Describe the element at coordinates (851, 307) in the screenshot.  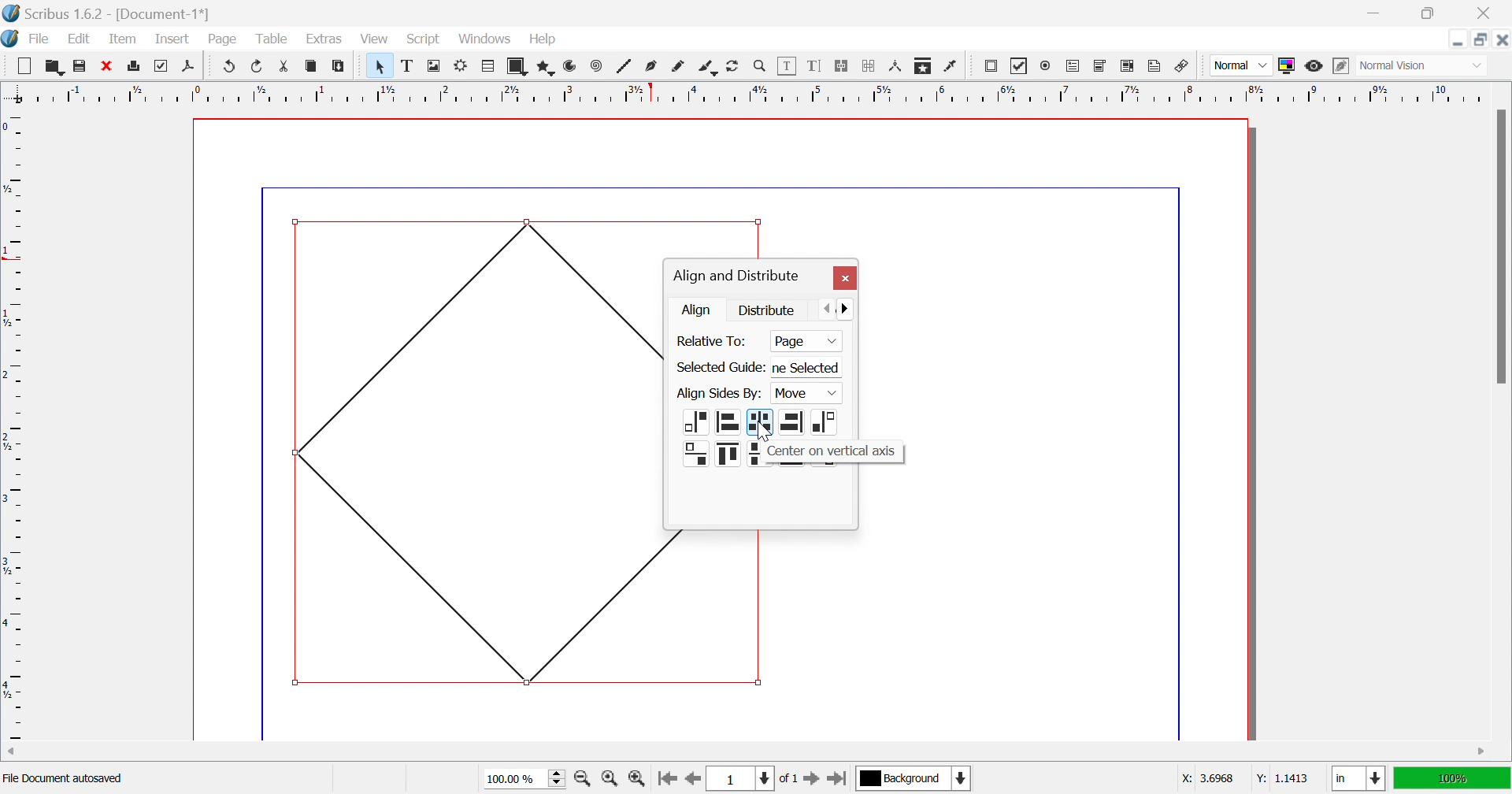
I see `Next` at that location.